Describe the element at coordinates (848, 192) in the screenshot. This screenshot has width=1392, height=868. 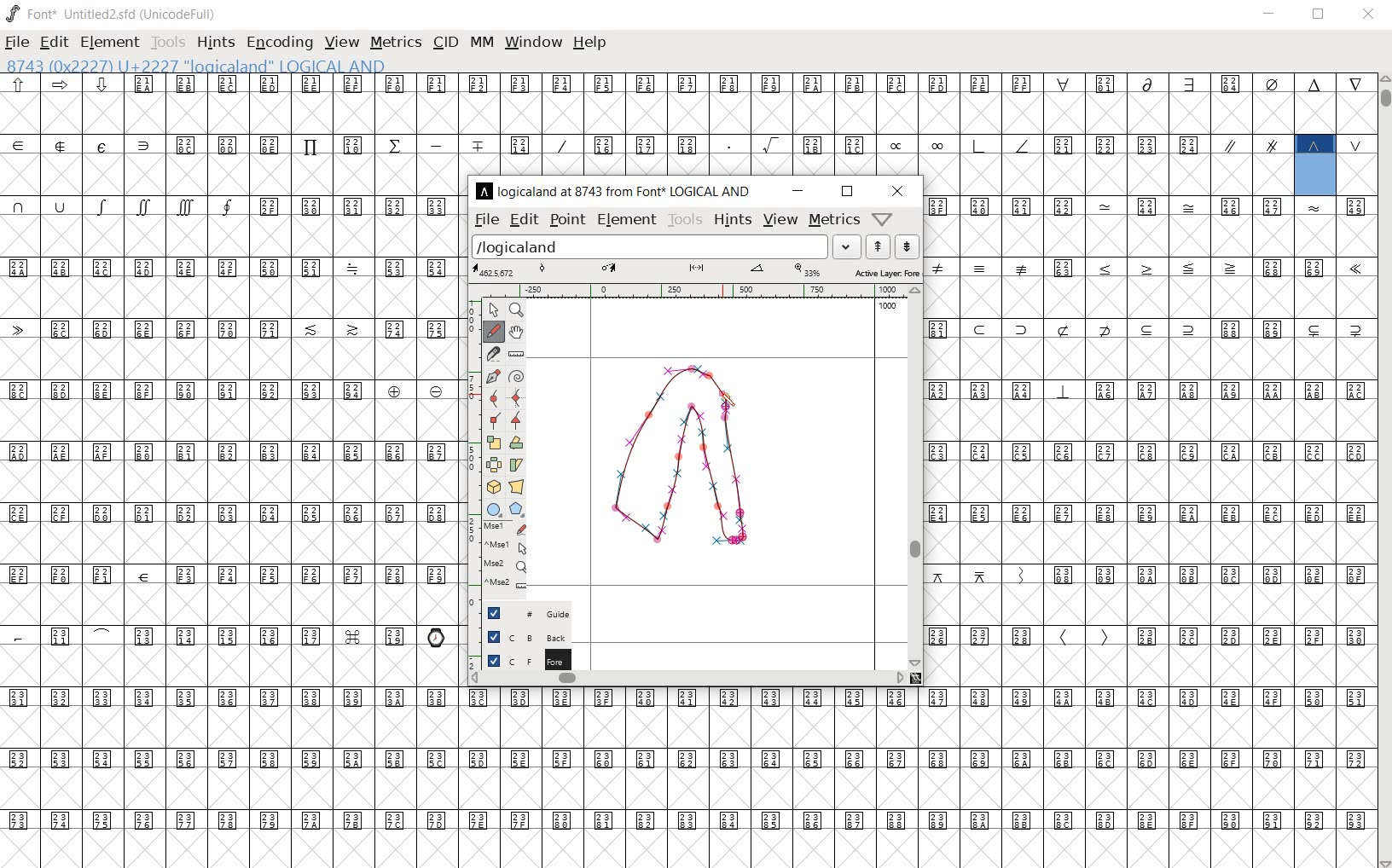
I see `restore` at that location.